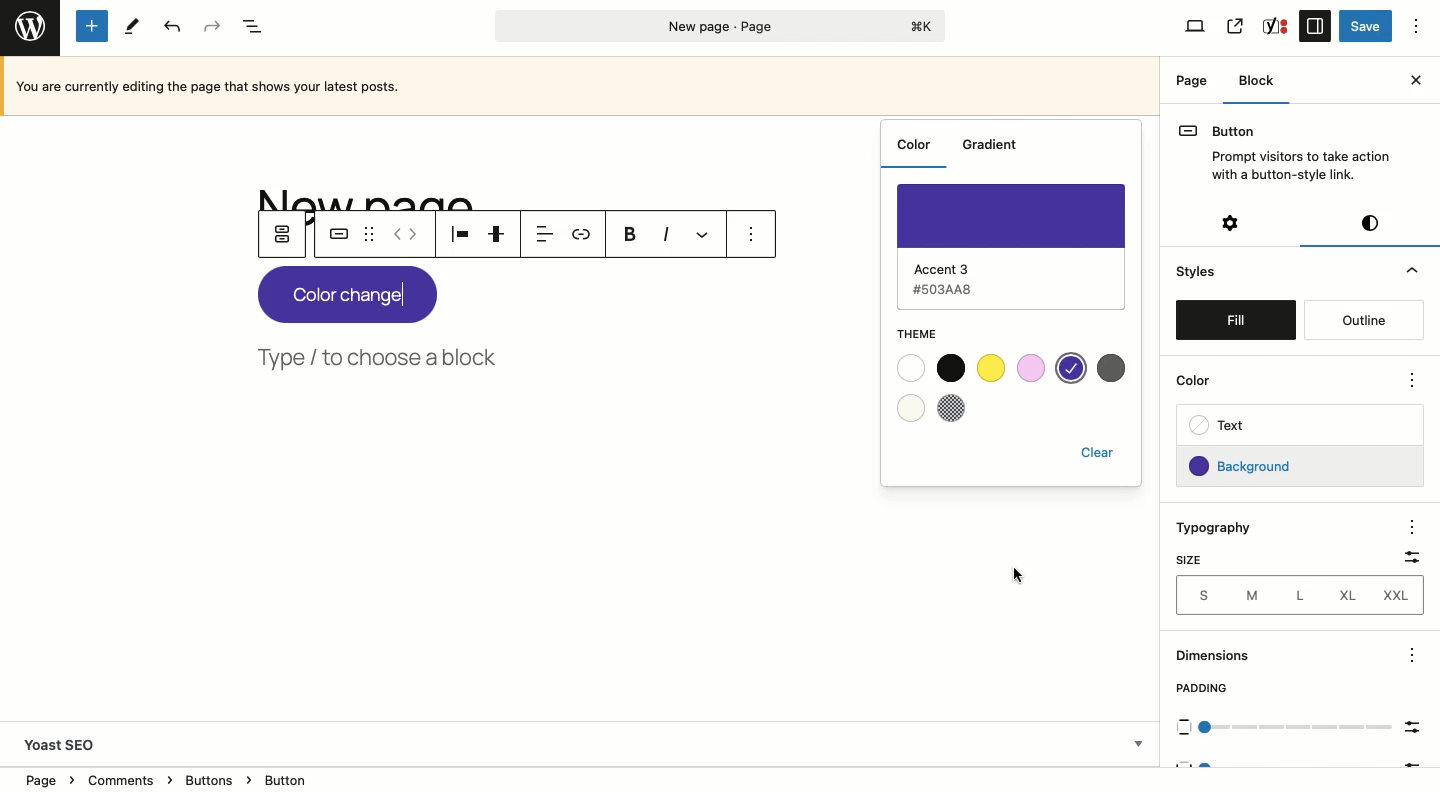 The width and height of the screenshot is (1440, 792). What do you see at coordinates (992, 367) in the screenshot?
I see `Yellow` at bounding box center [992, 367].